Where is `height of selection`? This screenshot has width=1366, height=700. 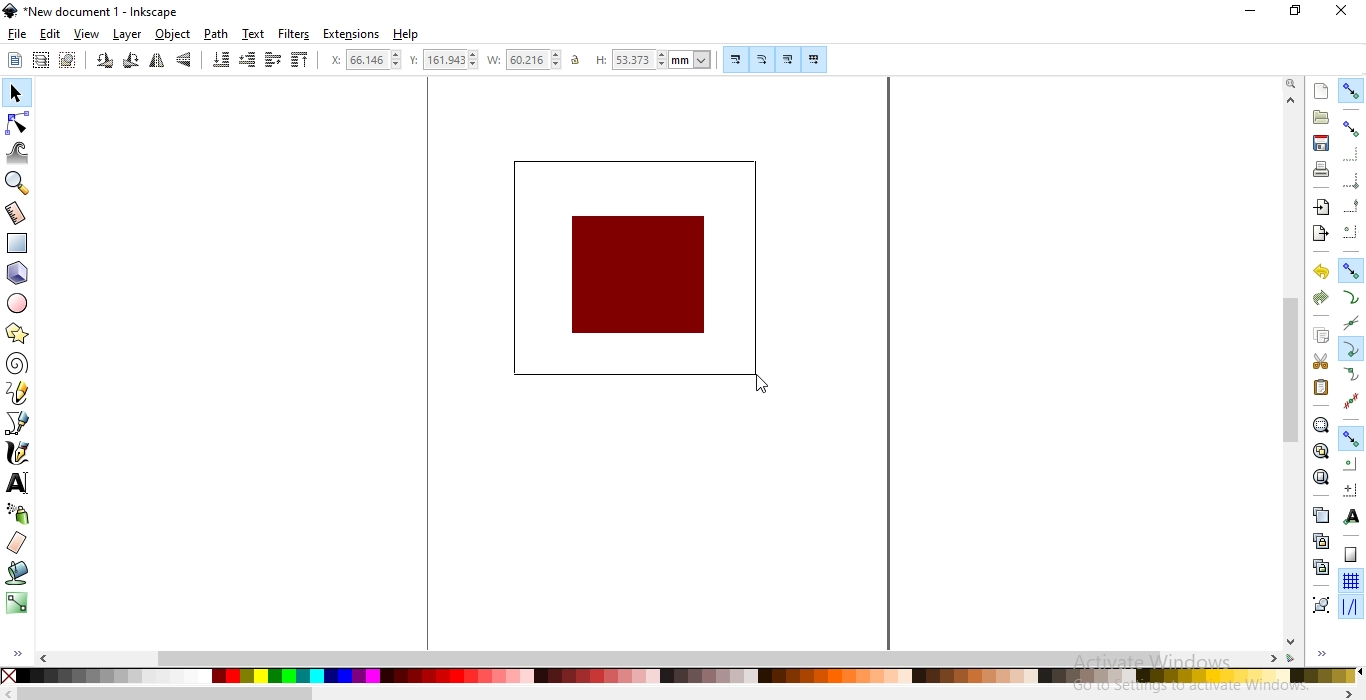
height of selection is located at coordinates (598, 60).